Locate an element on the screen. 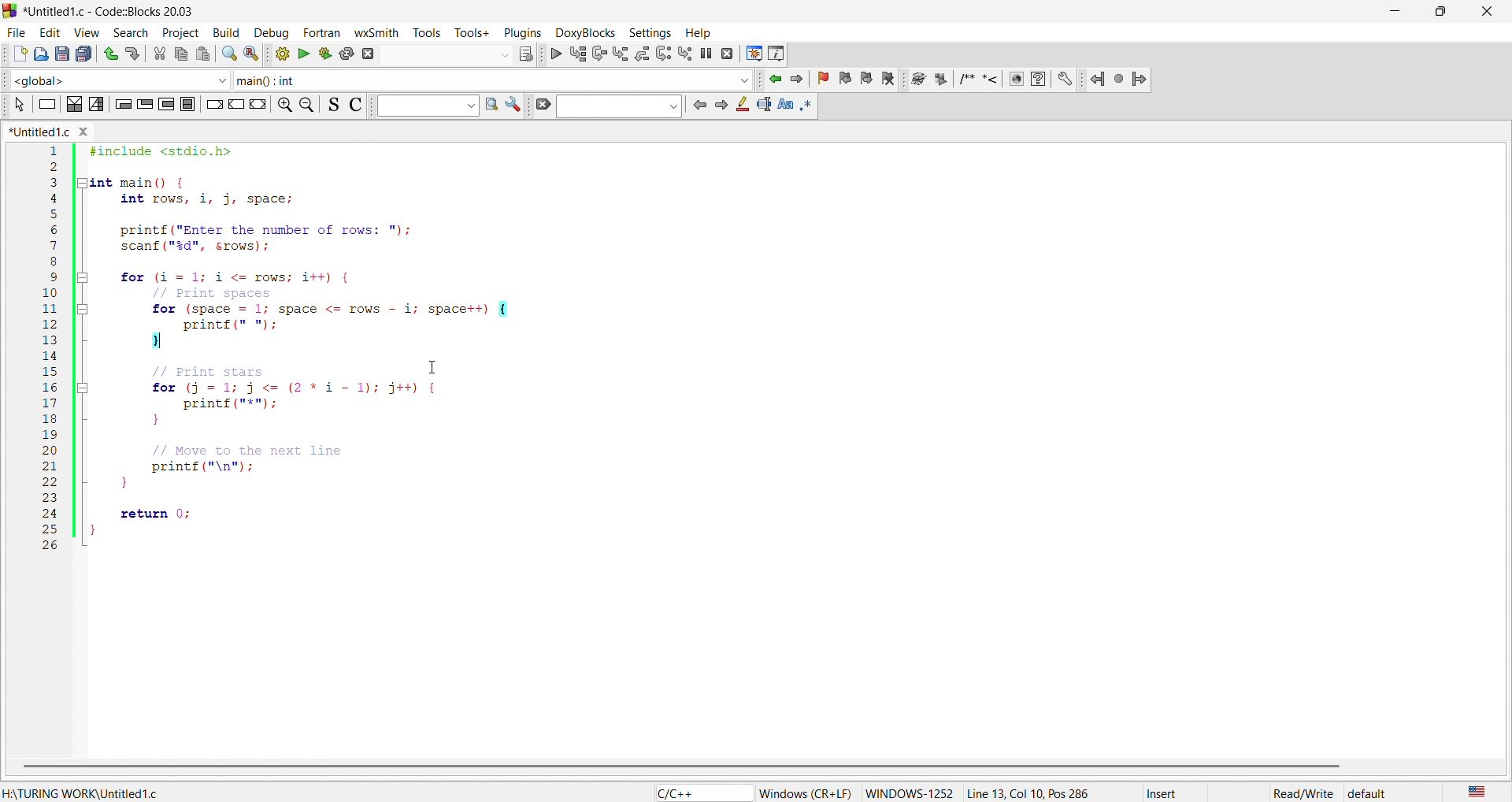  step out is located at coordinates (642, 54).